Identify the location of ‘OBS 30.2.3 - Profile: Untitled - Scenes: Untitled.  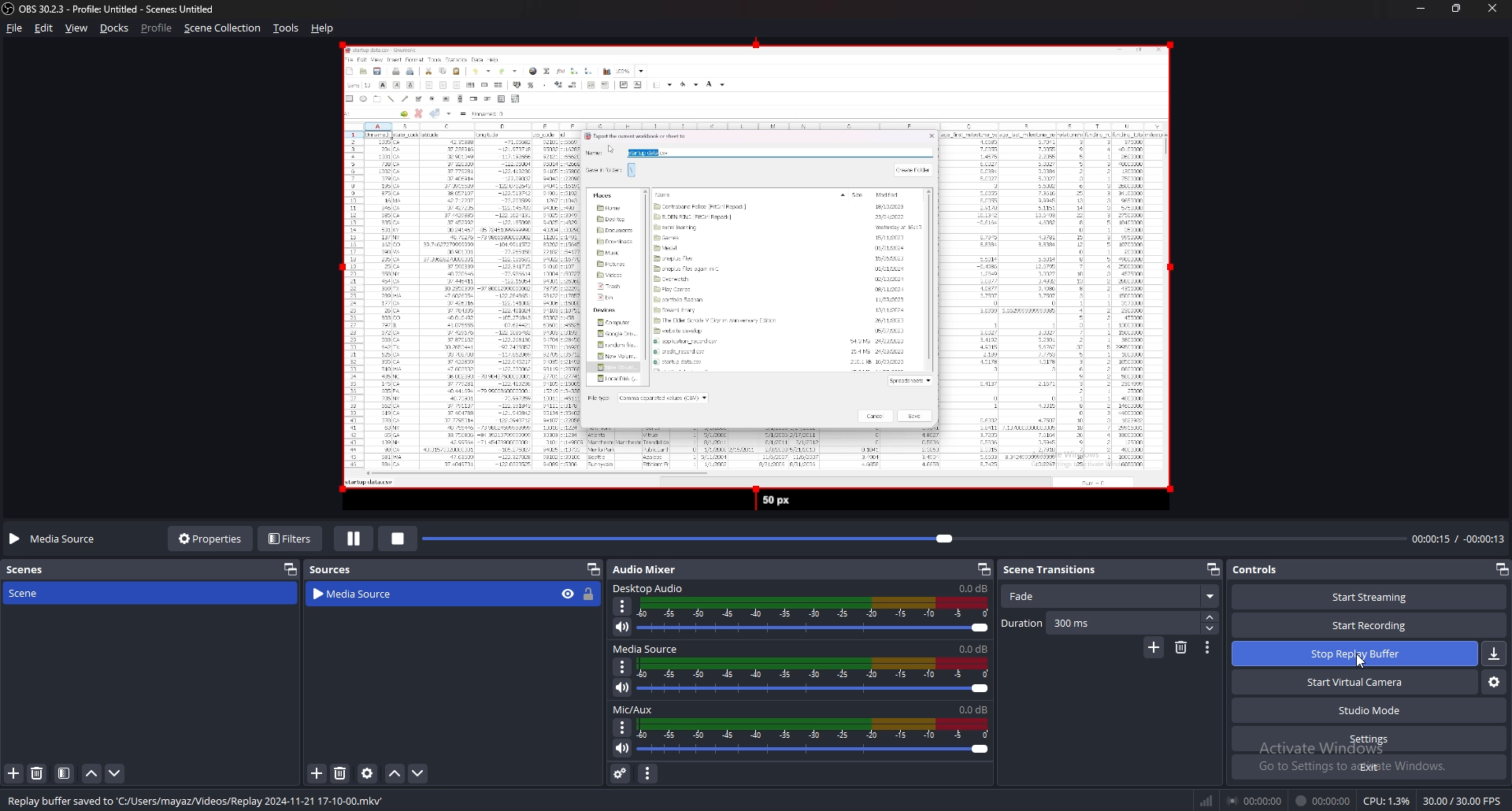
(123, 9).